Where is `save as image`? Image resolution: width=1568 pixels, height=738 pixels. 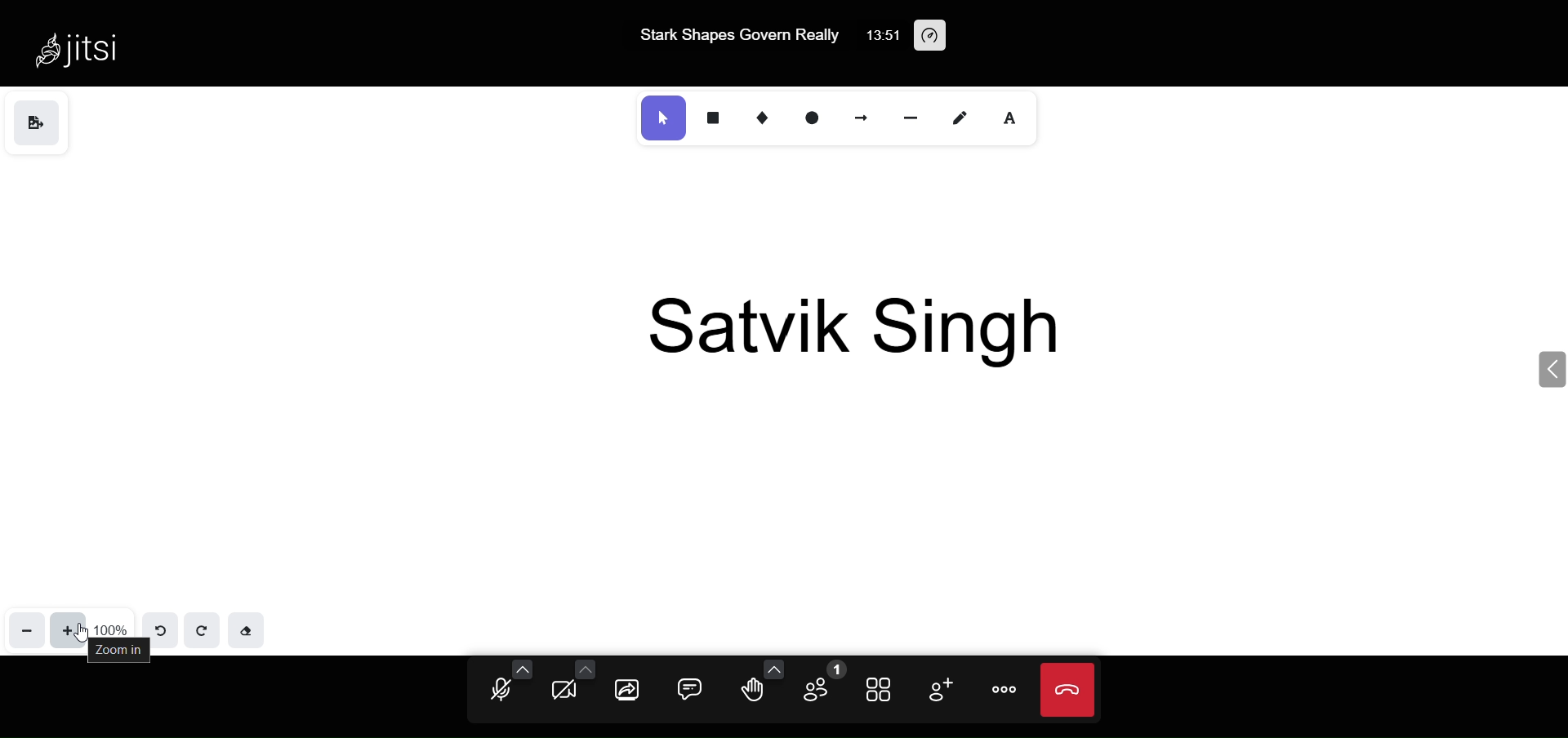
save as image is located at coordinates (40, 122).